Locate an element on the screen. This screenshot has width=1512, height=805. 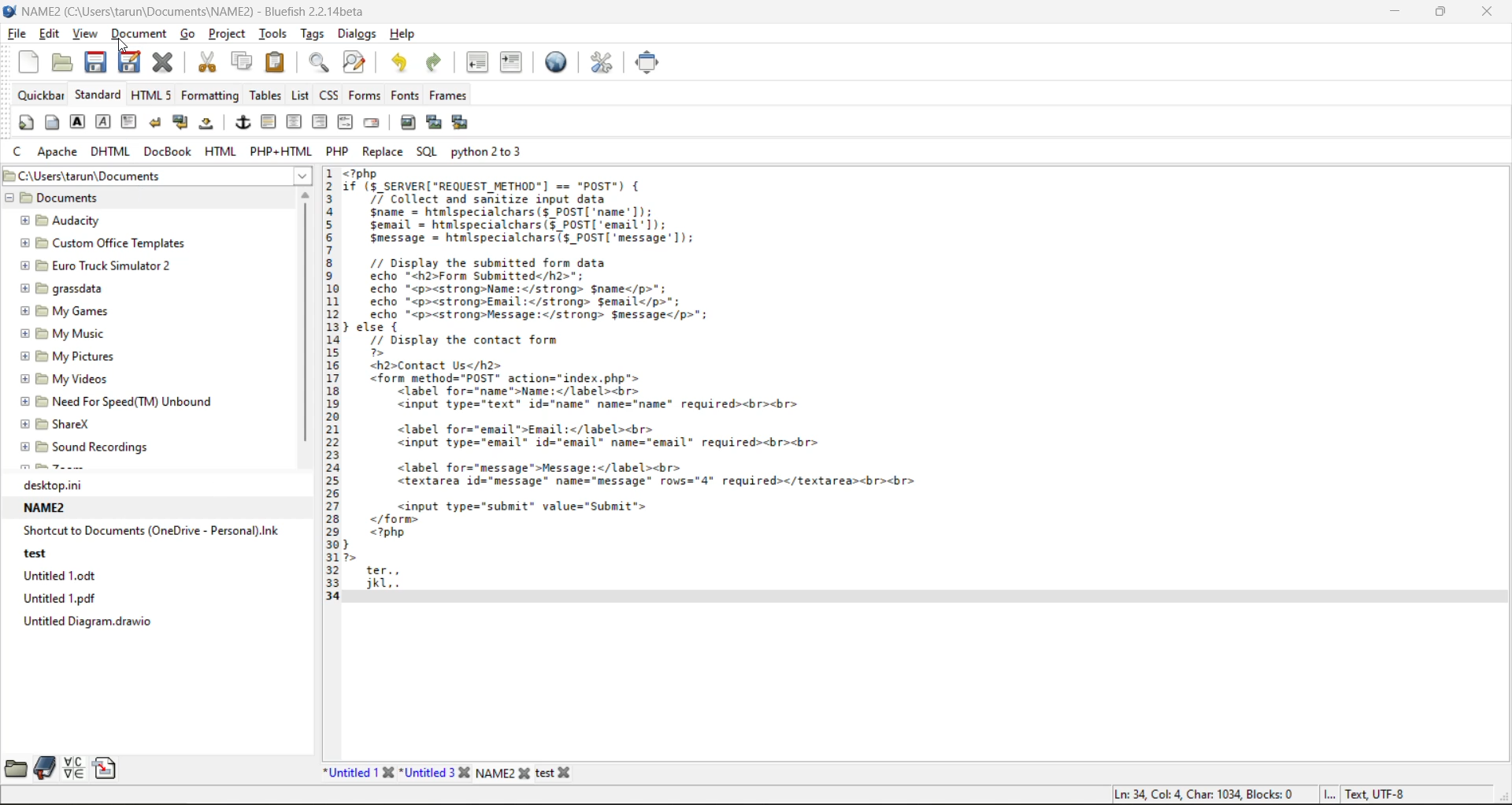
email is located at coordinates (369, 124).